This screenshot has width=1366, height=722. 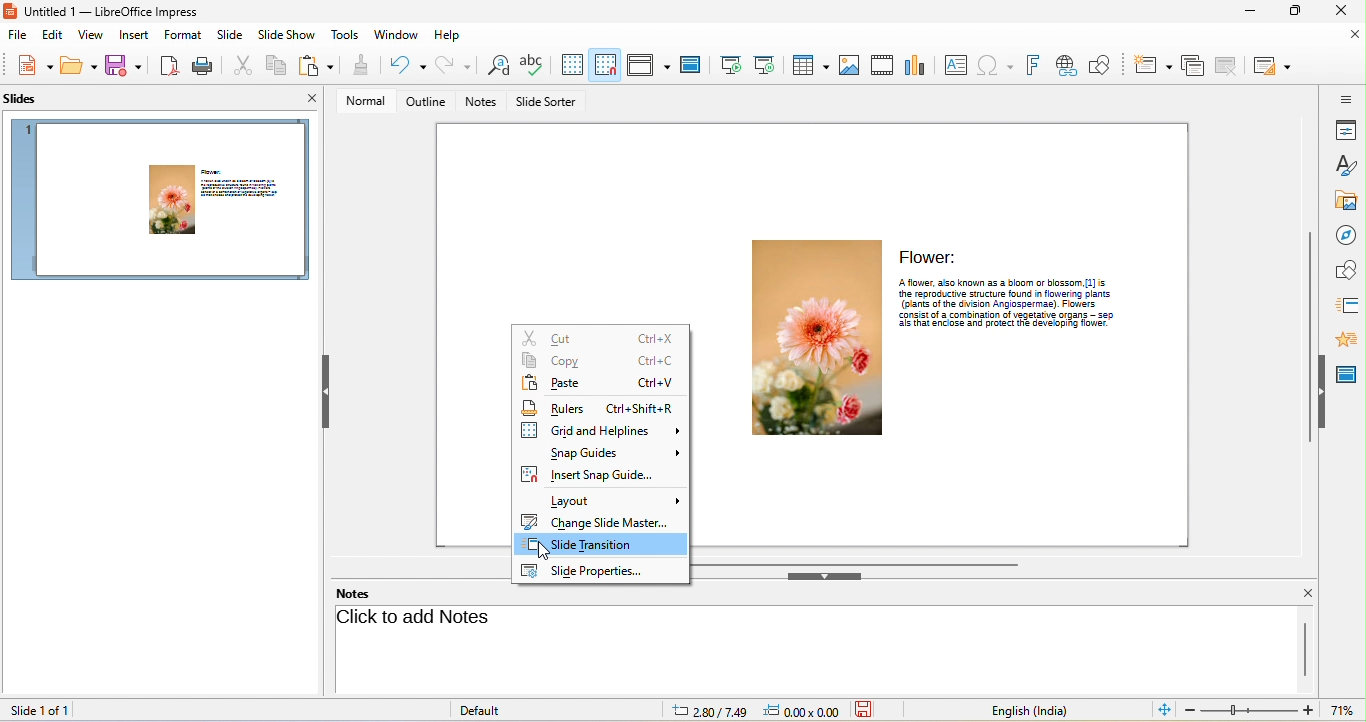 What do you see at coordinates (1347, 130) in the screenshot?
I see `properties` at bounding box center [1347, 130].